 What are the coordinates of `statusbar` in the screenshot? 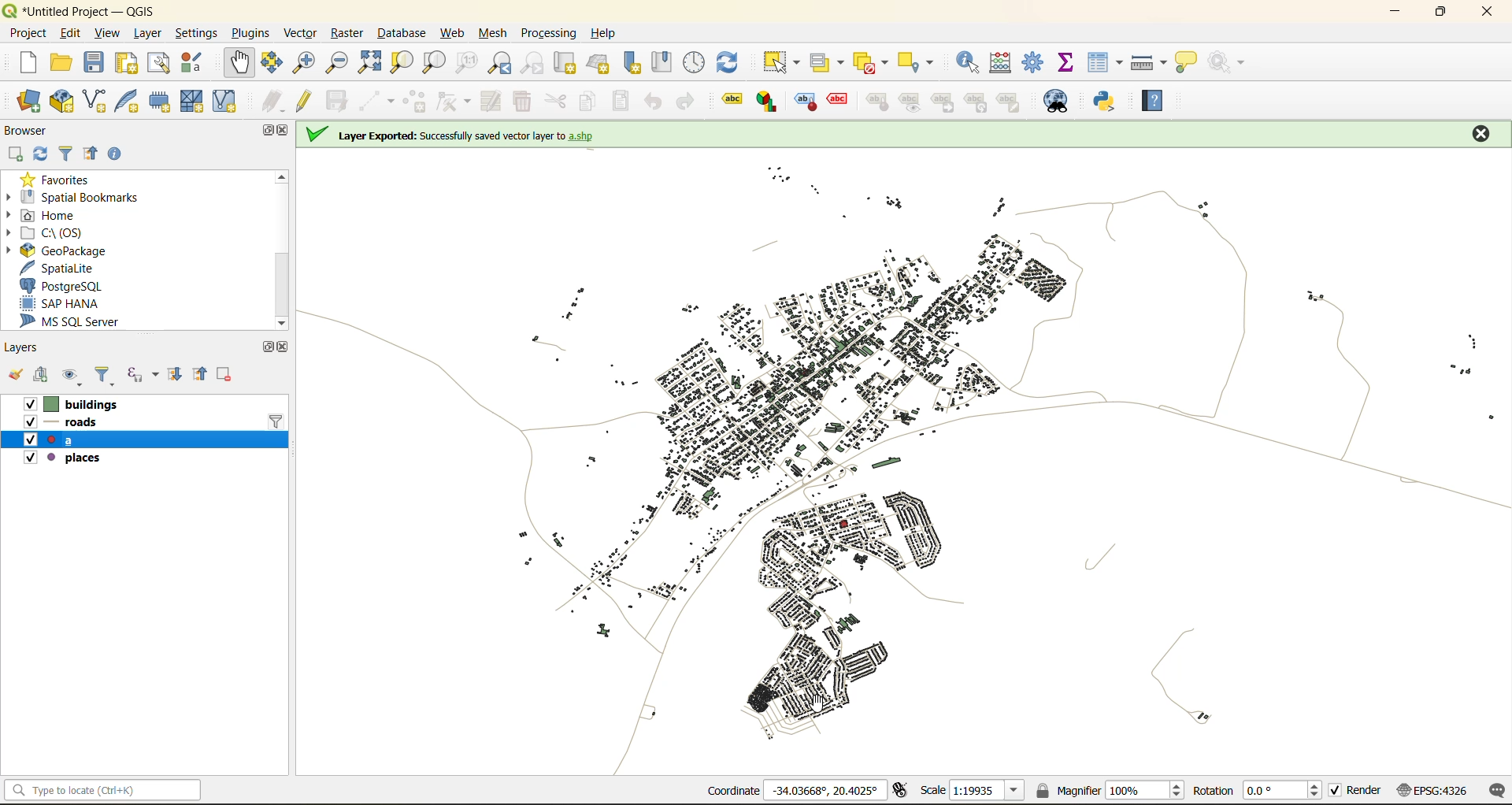 It's located at (107, 789).